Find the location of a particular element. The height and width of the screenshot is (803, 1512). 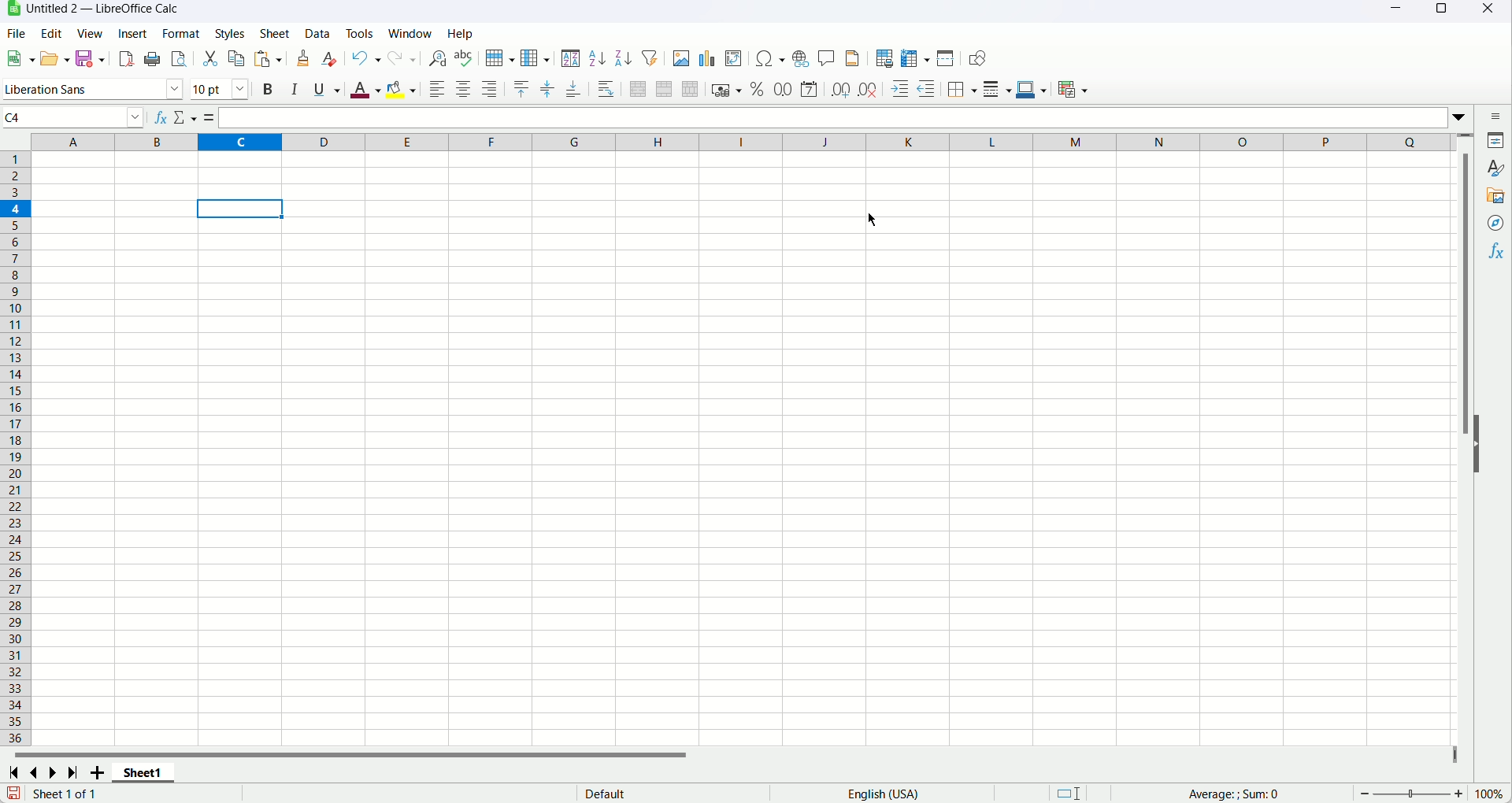

Italic is located at coordinates (295, 90).